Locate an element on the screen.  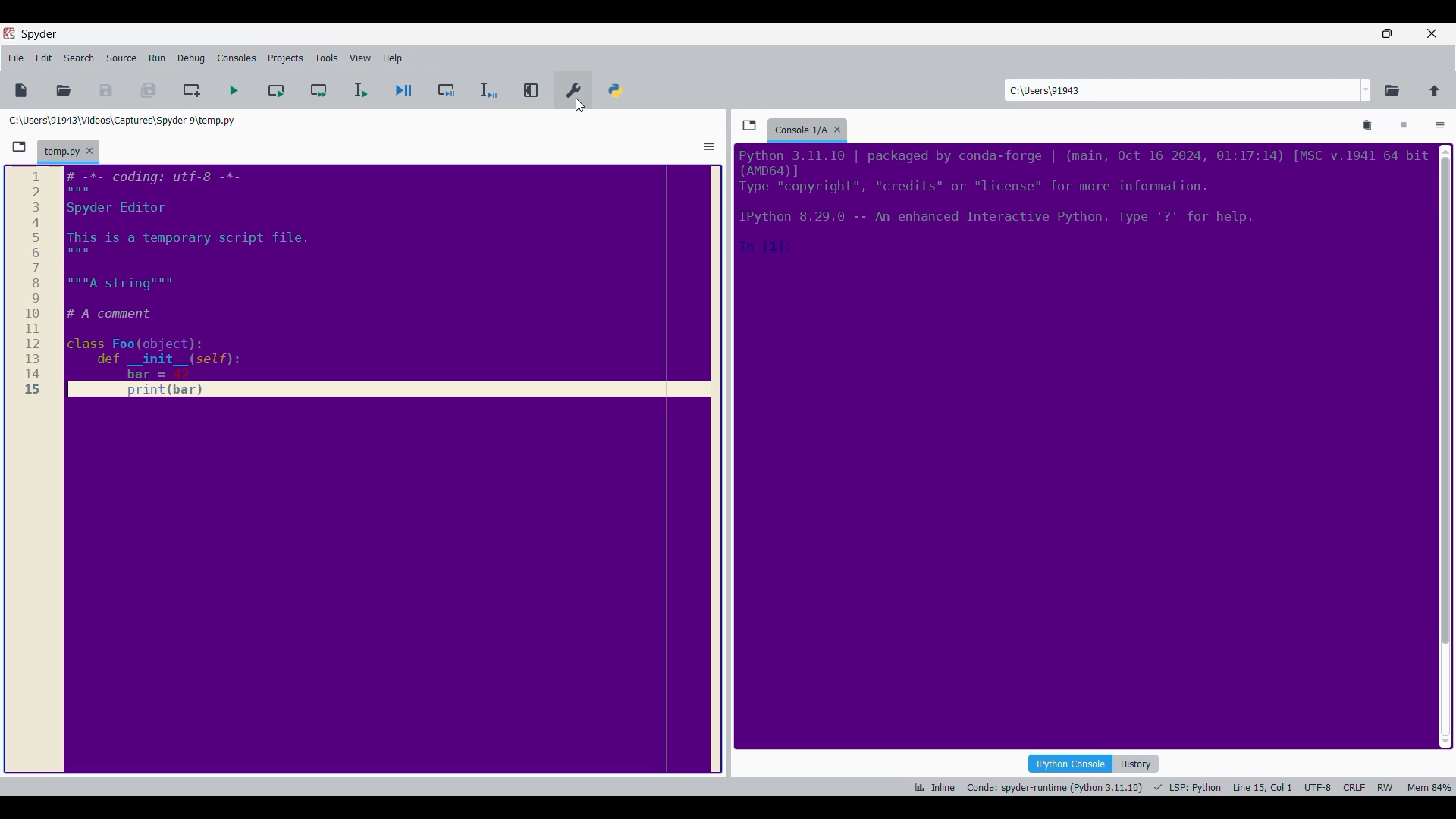
Debug selection/current line is located at coordinates (488, 90).